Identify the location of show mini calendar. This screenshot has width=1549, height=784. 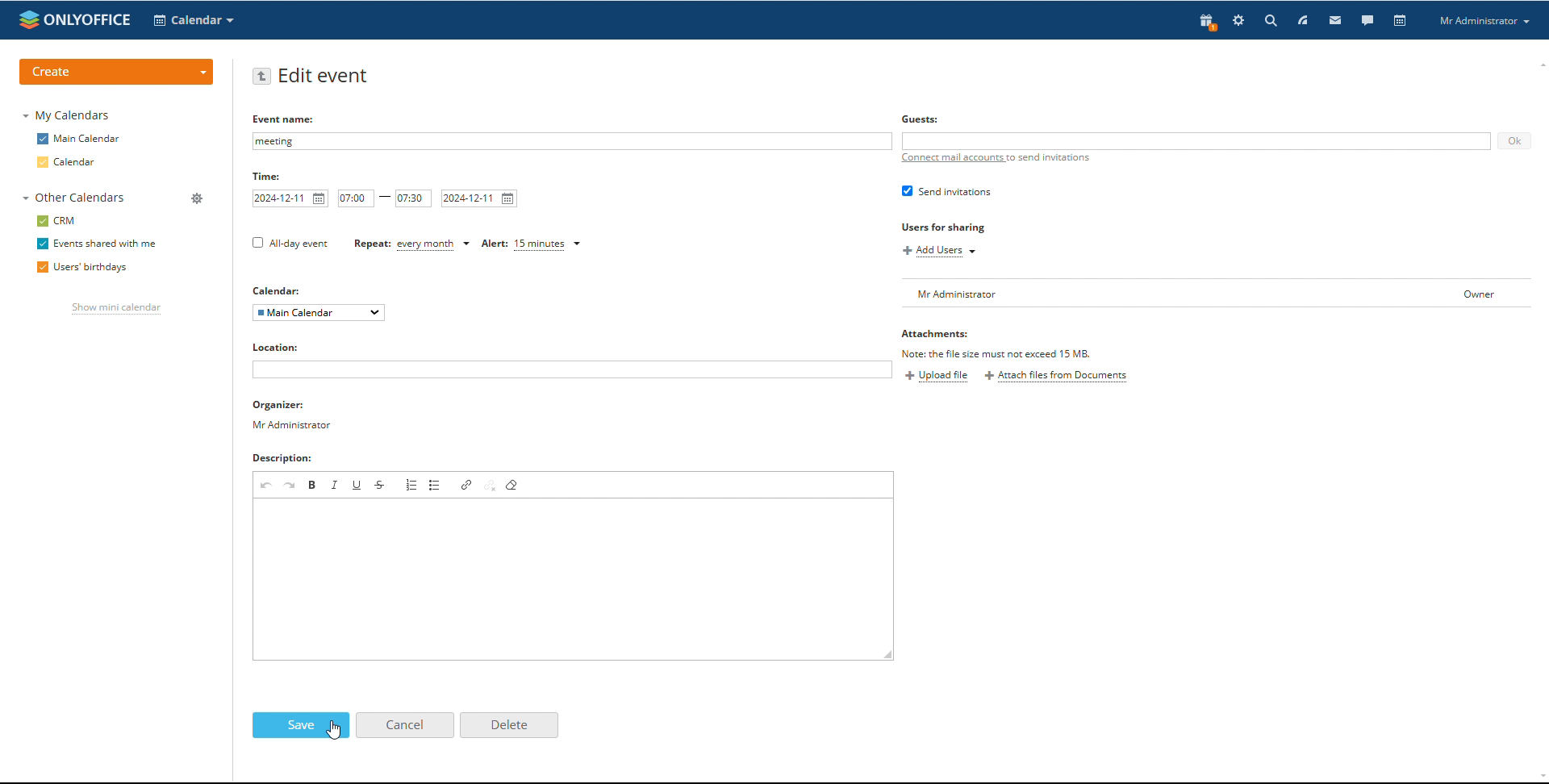
(116, 310).